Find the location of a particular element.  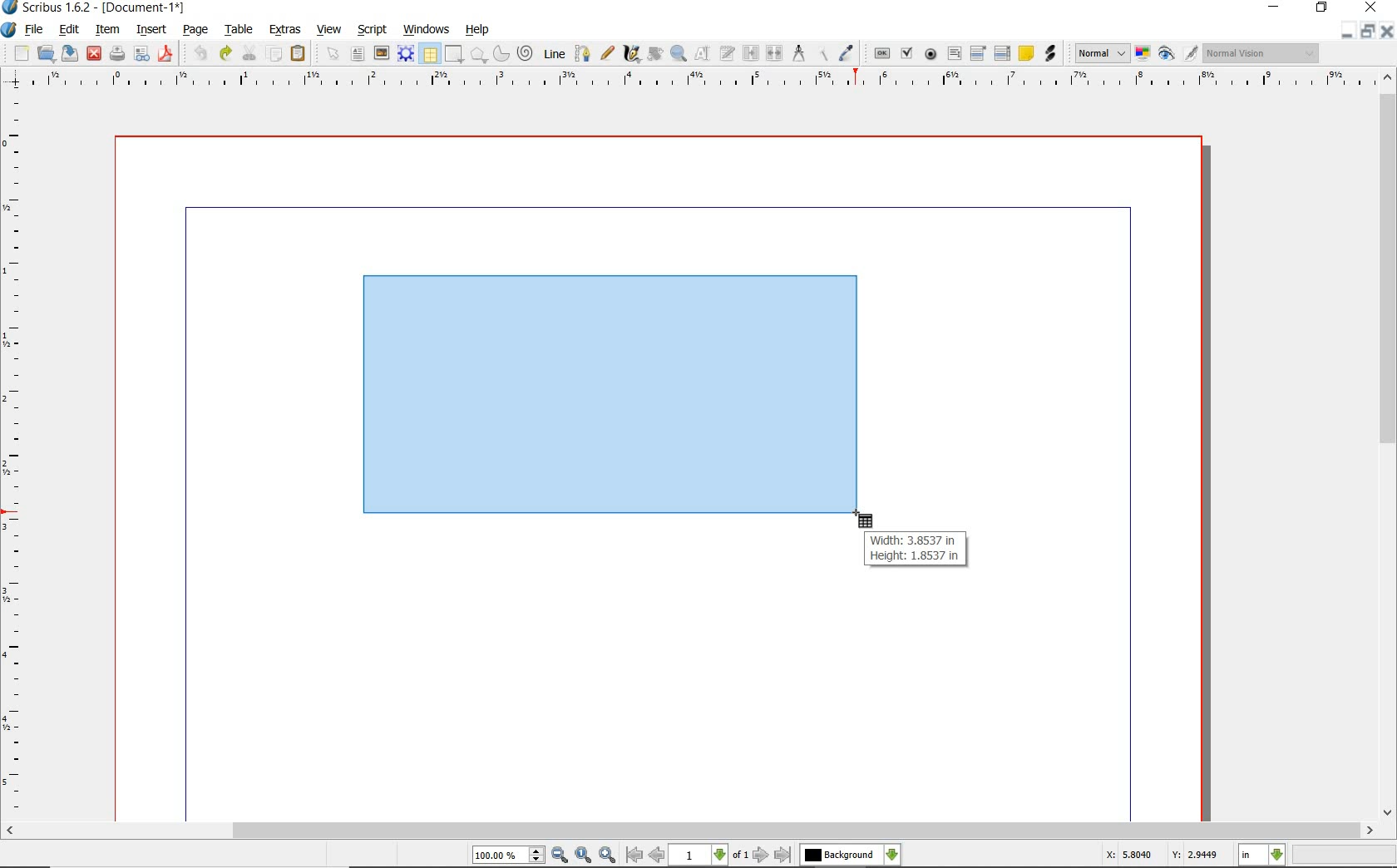

windows is located at coordinates (426, 30).